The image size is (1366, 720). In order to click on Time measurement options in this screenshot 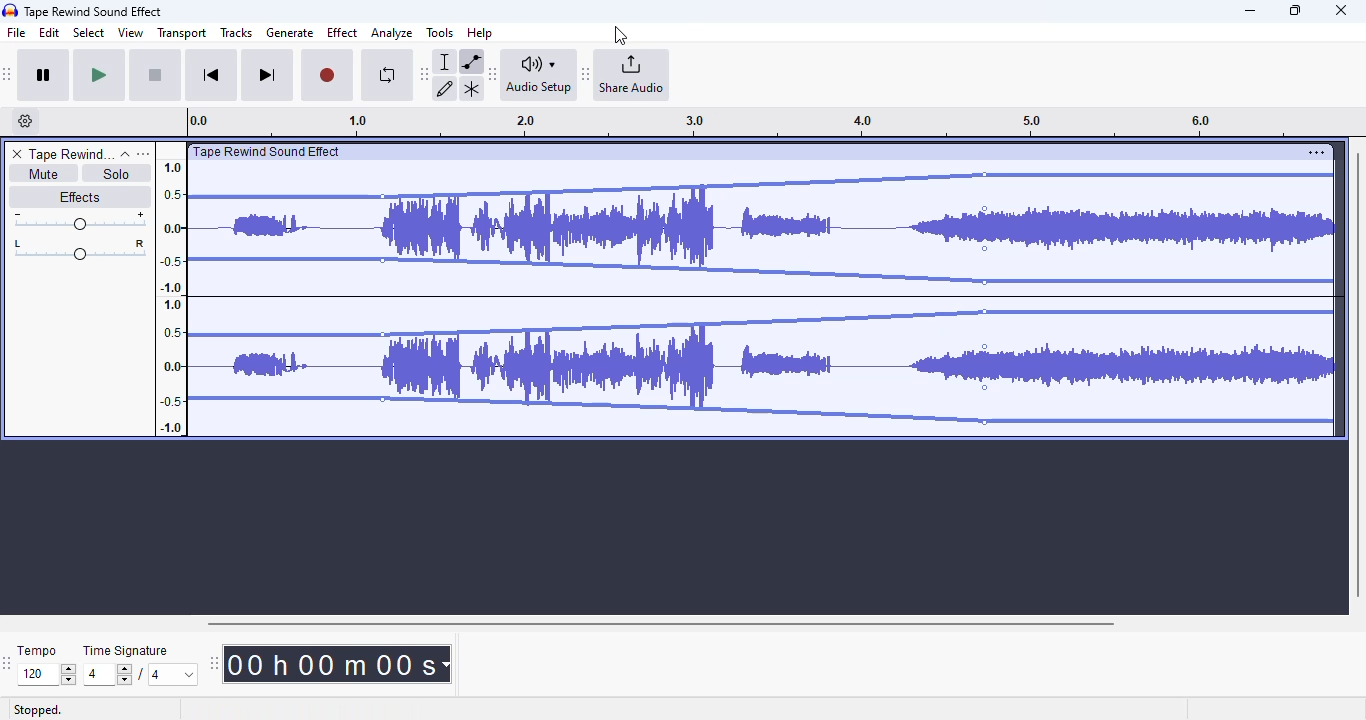, I will do `click(445, 664)`.